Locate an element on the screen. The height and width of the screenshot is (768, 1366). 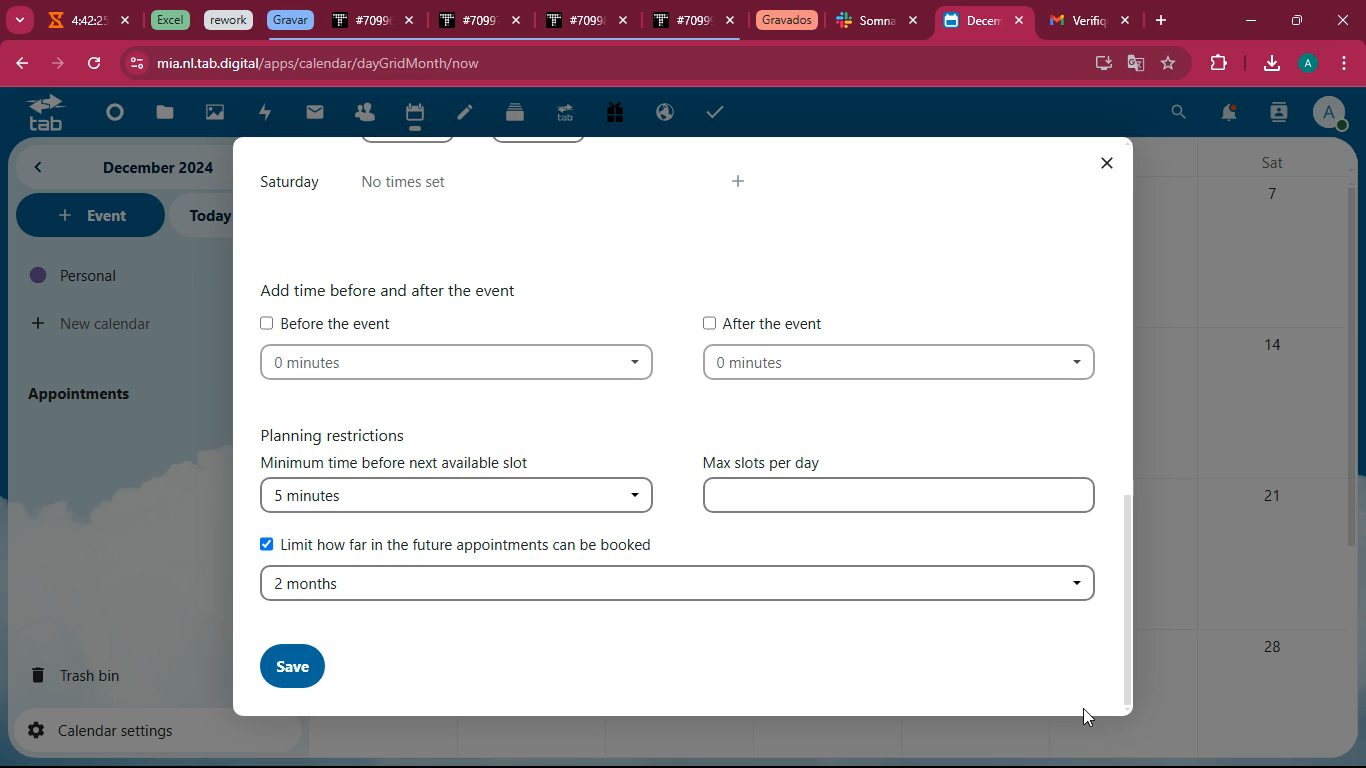
tab is located at coordinates (74, 23).